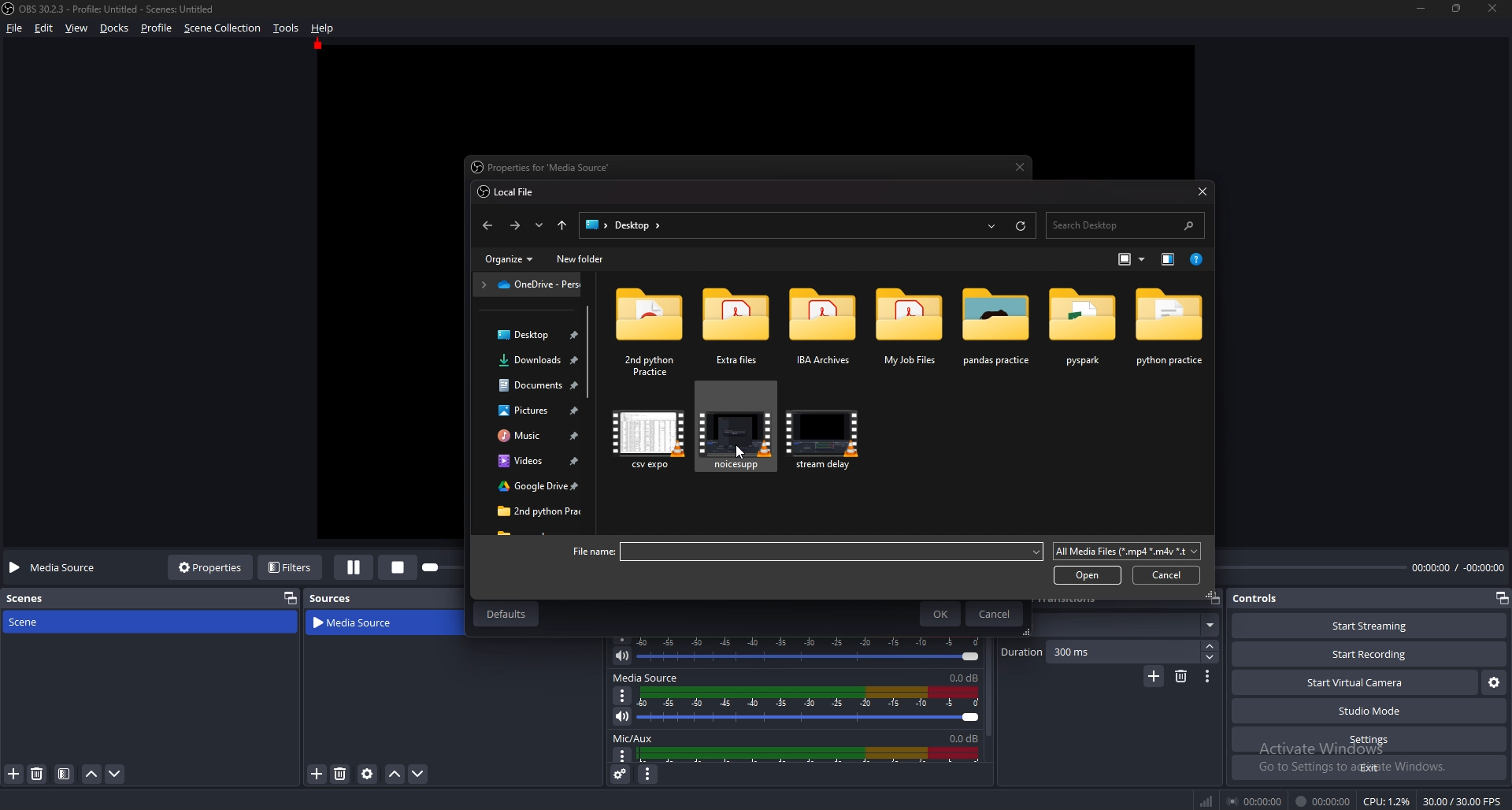  What do you see at coordinates (1494, 8) in the screenshot?
I see `close` at bounding box center [1494, 8].